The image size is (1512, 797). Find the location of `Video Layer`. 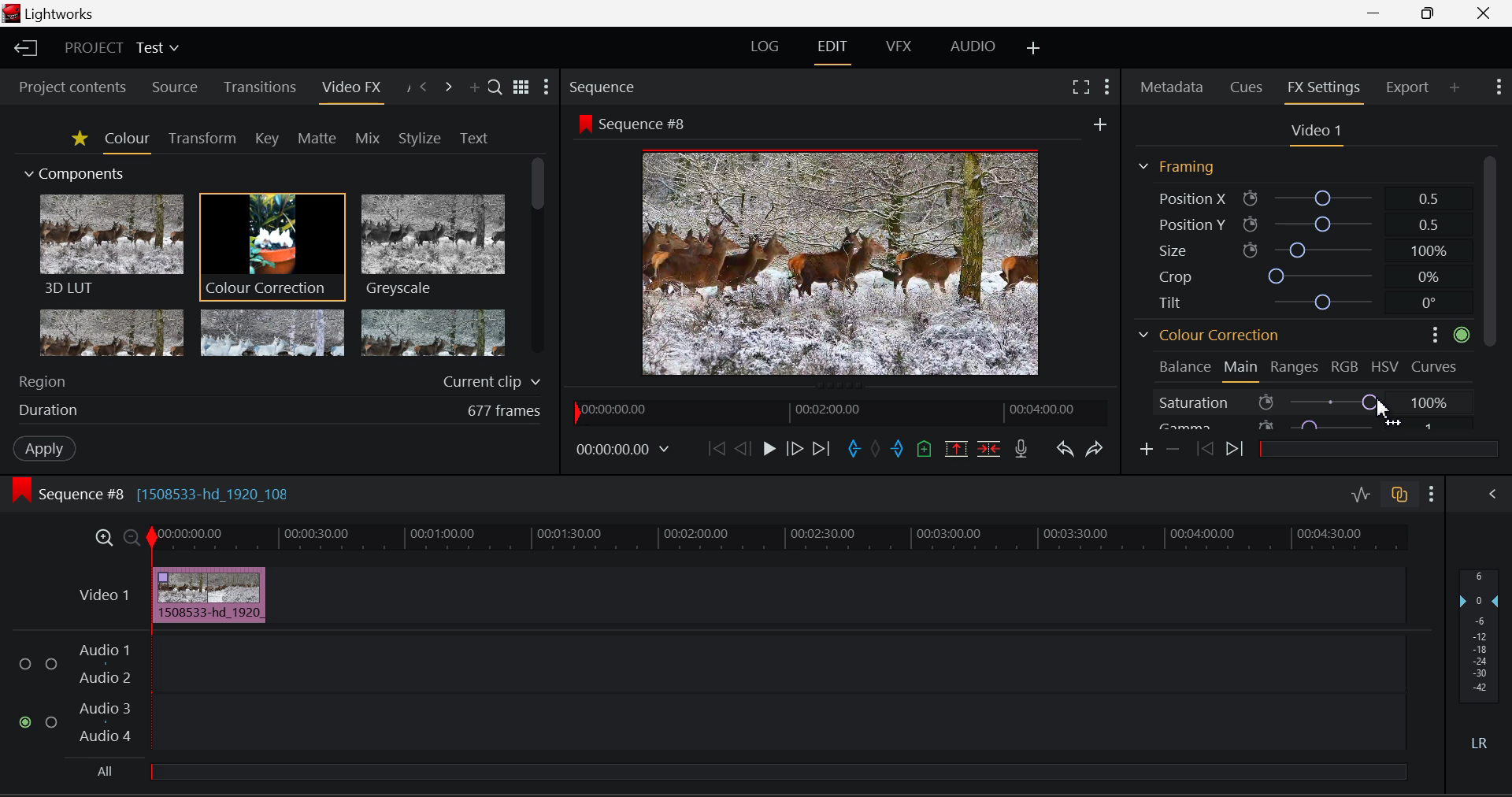

Video Layer is located at coordinates (105, 595).